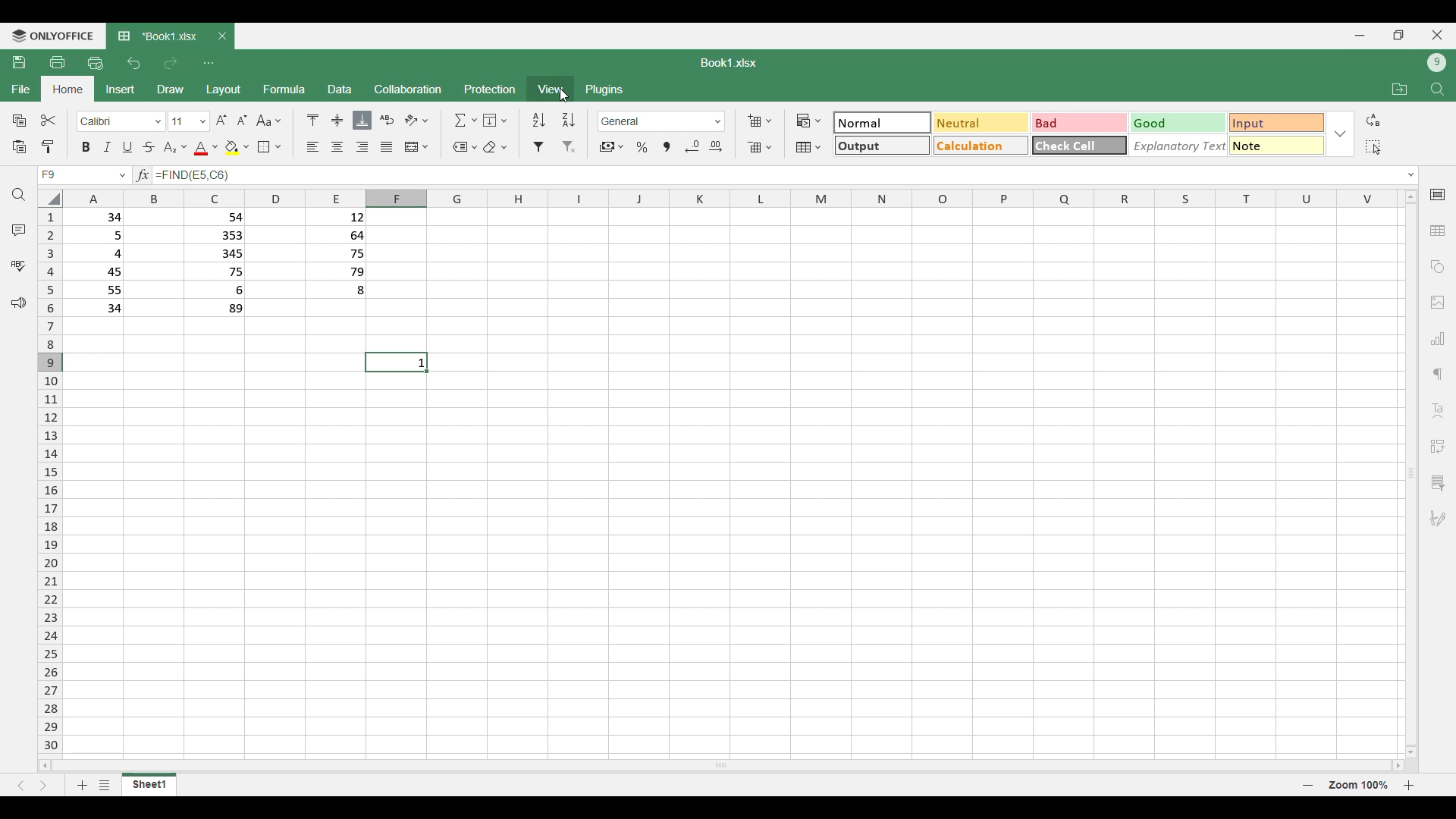 This screenshot has width=1456, height=819. Describe the element at coordinates (662, 121) in the screenshot. I see `Format options` at that location.